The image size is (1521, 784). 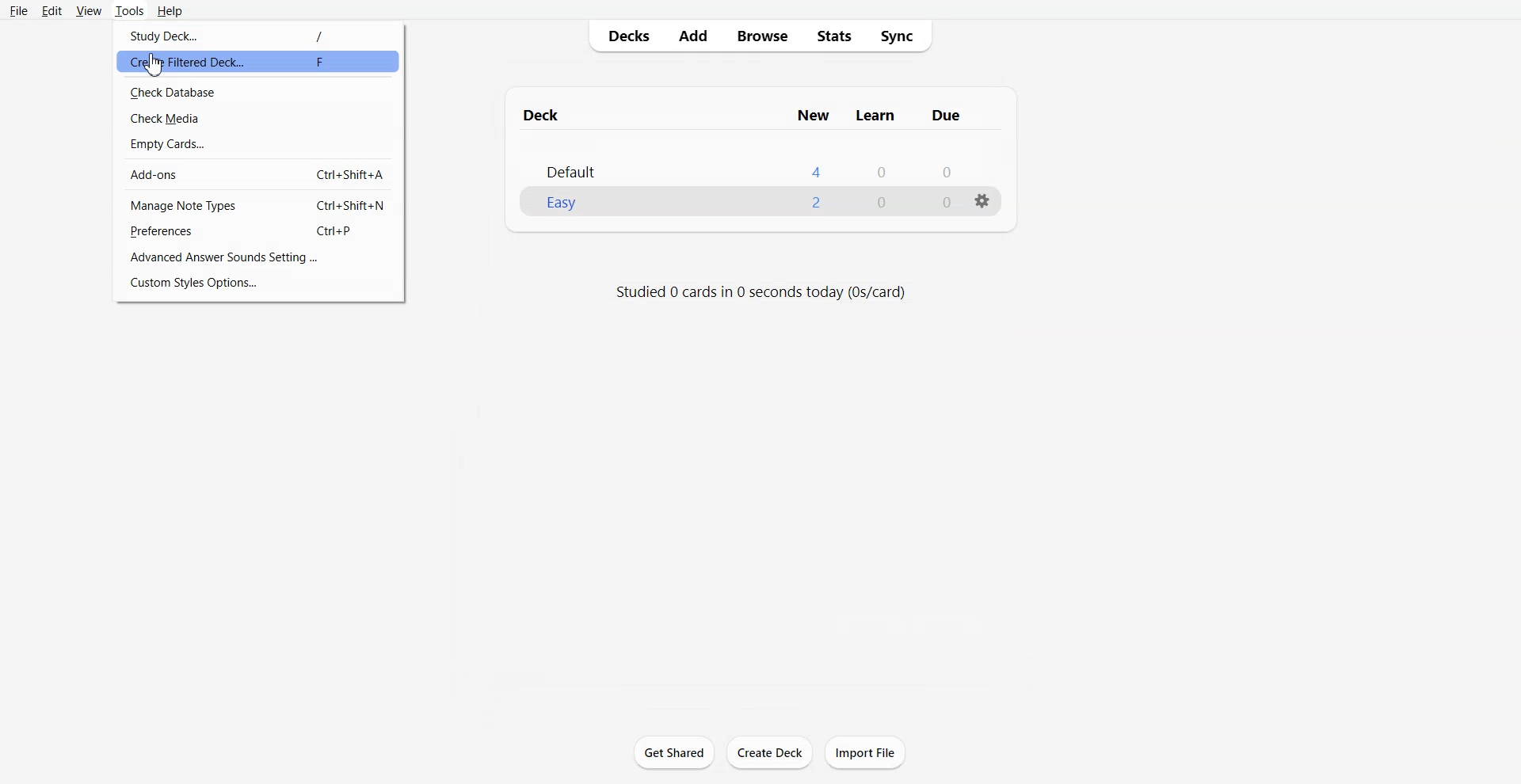 What do you see at coordinates (764, 36) in the screenshot?
I see `Browse` at bounding box center [764, 36].